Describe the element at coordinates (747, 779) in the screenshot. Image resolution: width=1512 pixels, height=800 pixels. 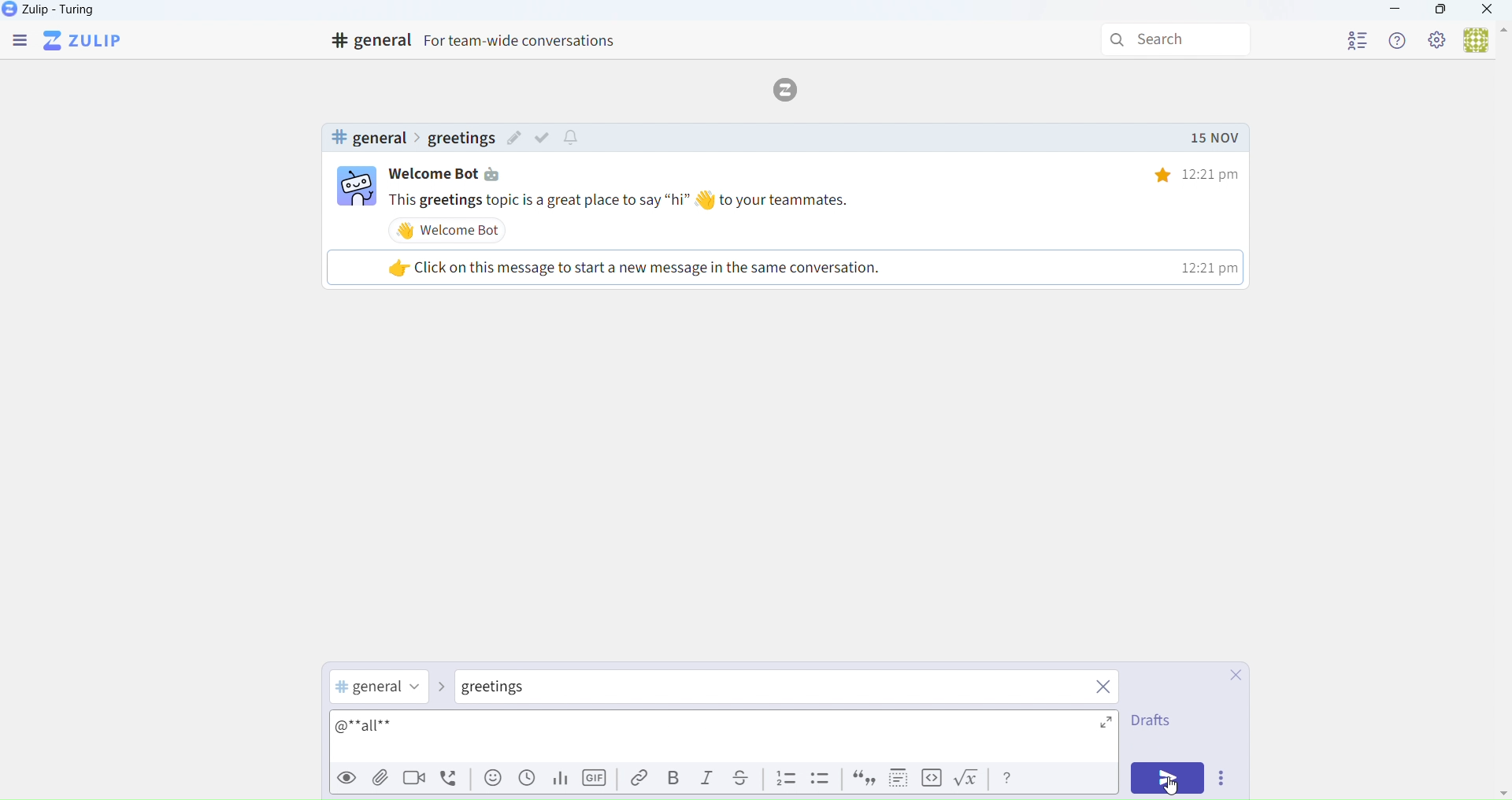
I see `Underline` at that location.